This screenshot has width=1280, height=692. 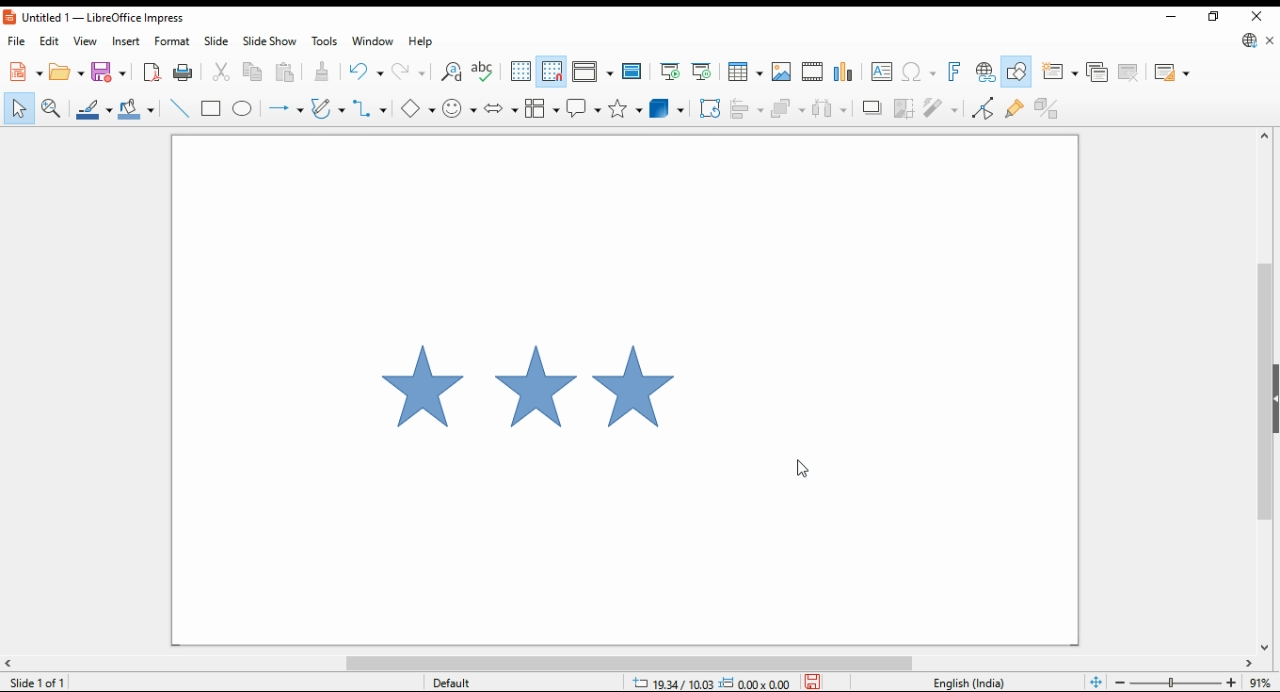 What do you see at coordinates (552, 73) in the screenshot?
I see `snap to grids` at bounding box center [552, 73].